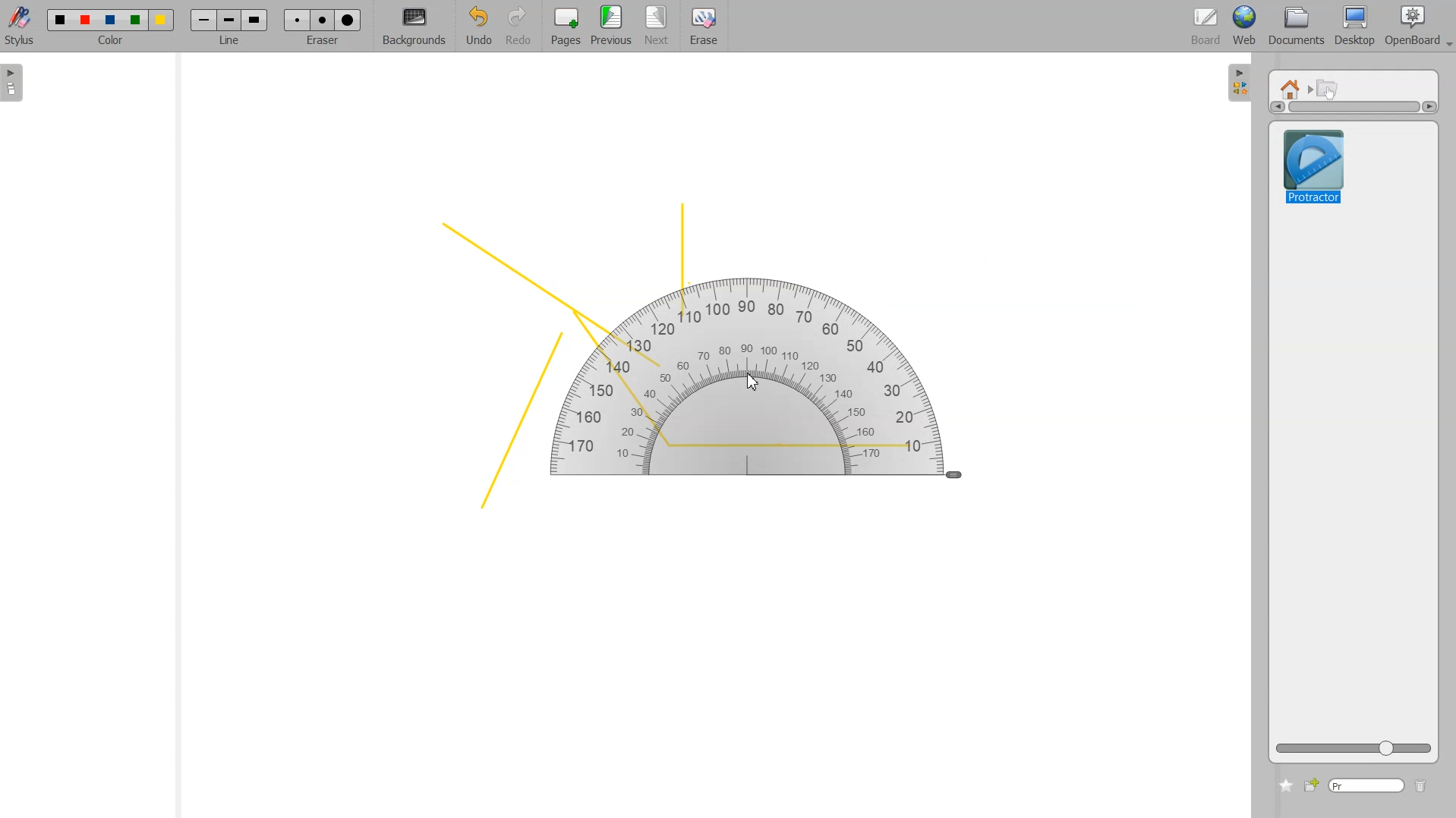  I want to click on Erase, so click(322, 20).